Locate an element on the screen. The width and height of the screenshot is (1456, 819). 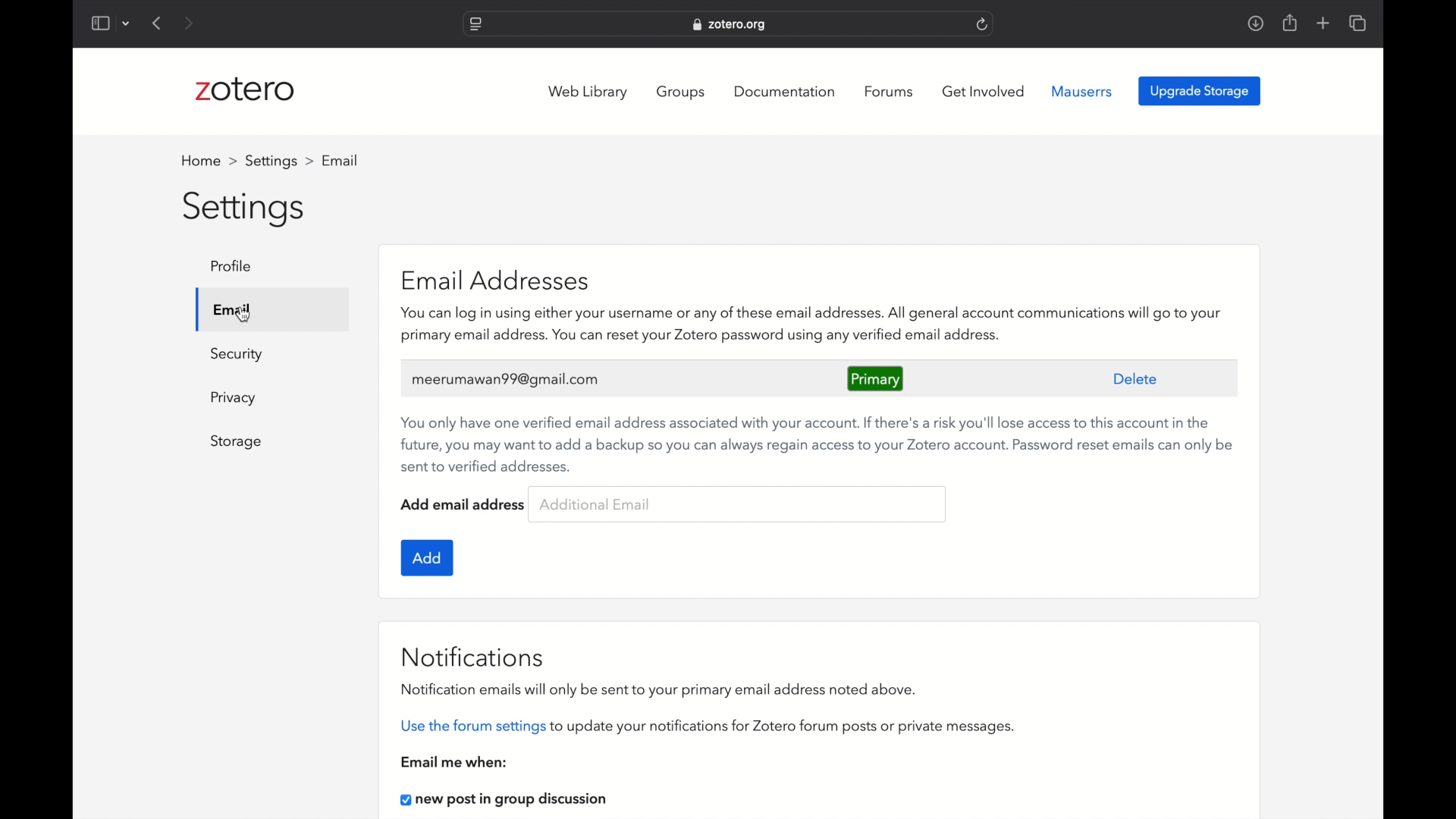
get involved is located at coordinates (984, 92).